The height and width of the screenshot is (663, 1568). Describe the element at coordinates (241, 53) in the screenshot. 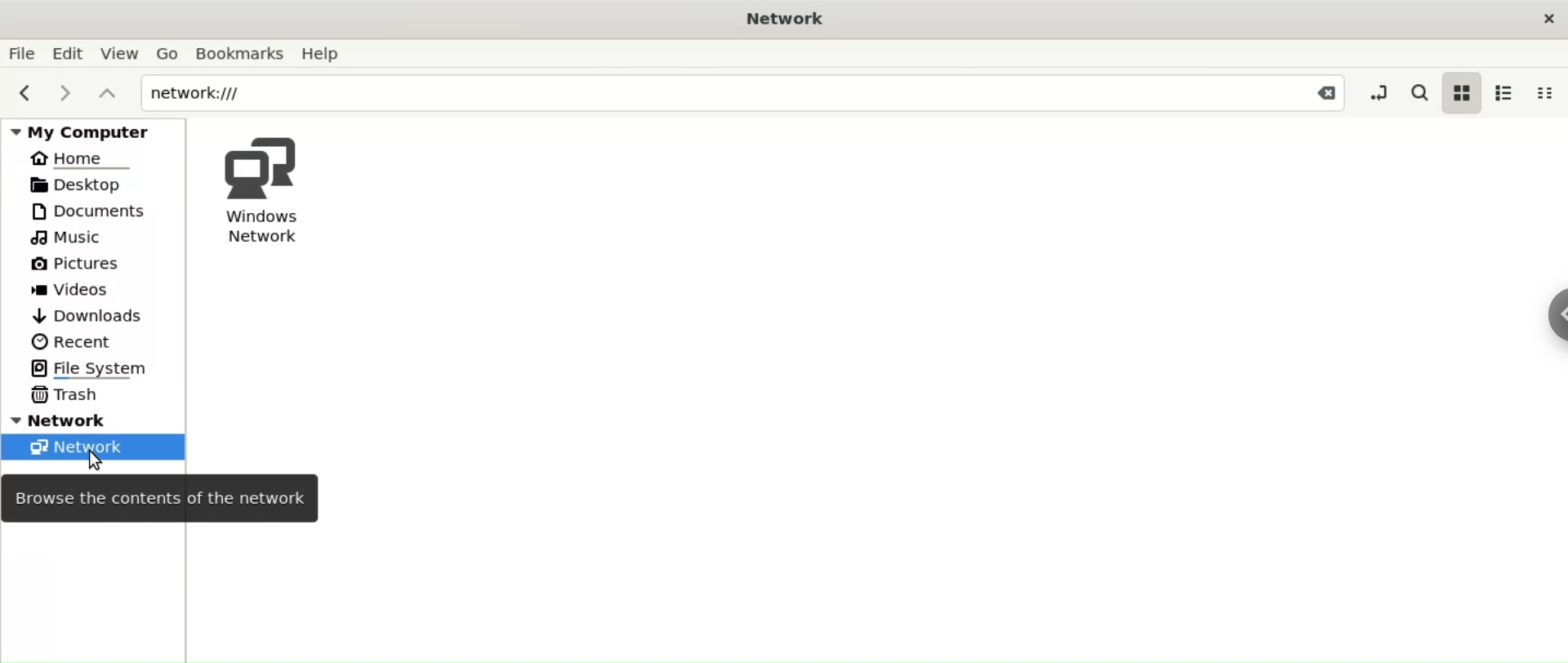

I see `Bookmarks` at that location.